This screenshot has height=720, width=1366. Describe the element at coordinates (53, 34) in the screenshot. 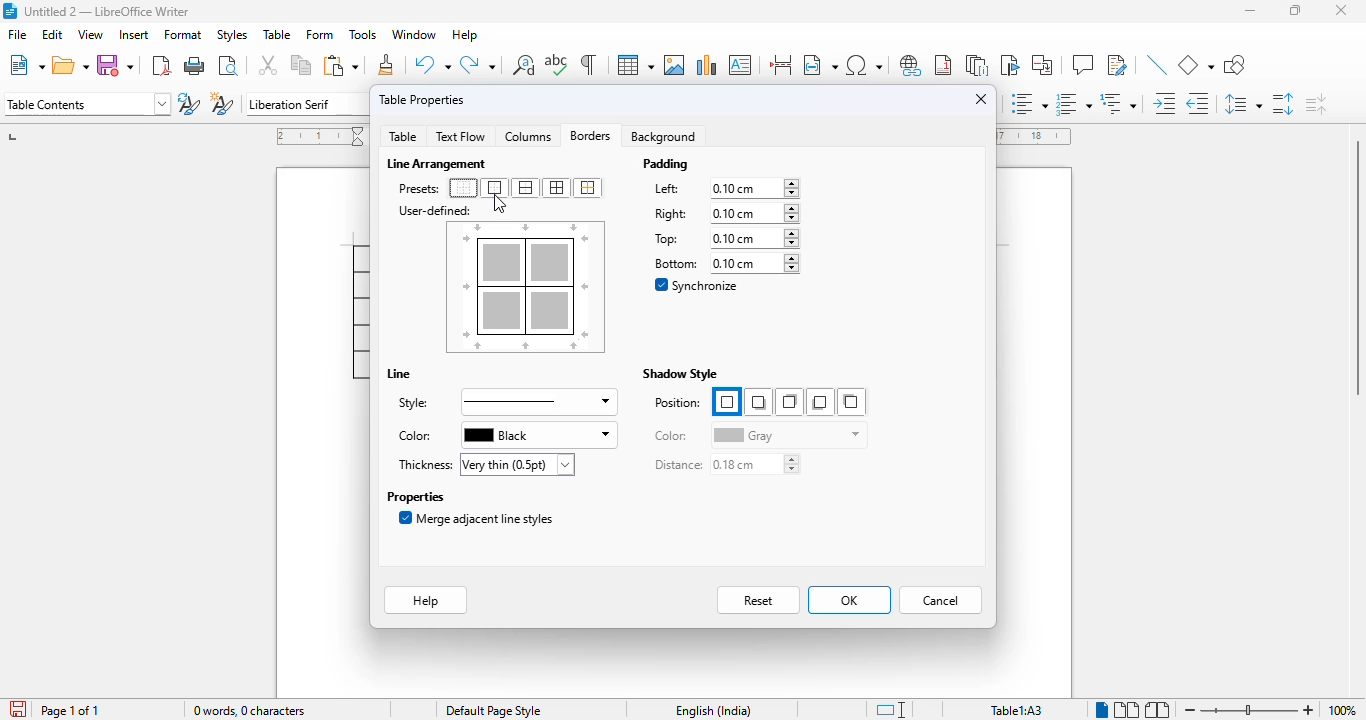

I see `edit` at that location.